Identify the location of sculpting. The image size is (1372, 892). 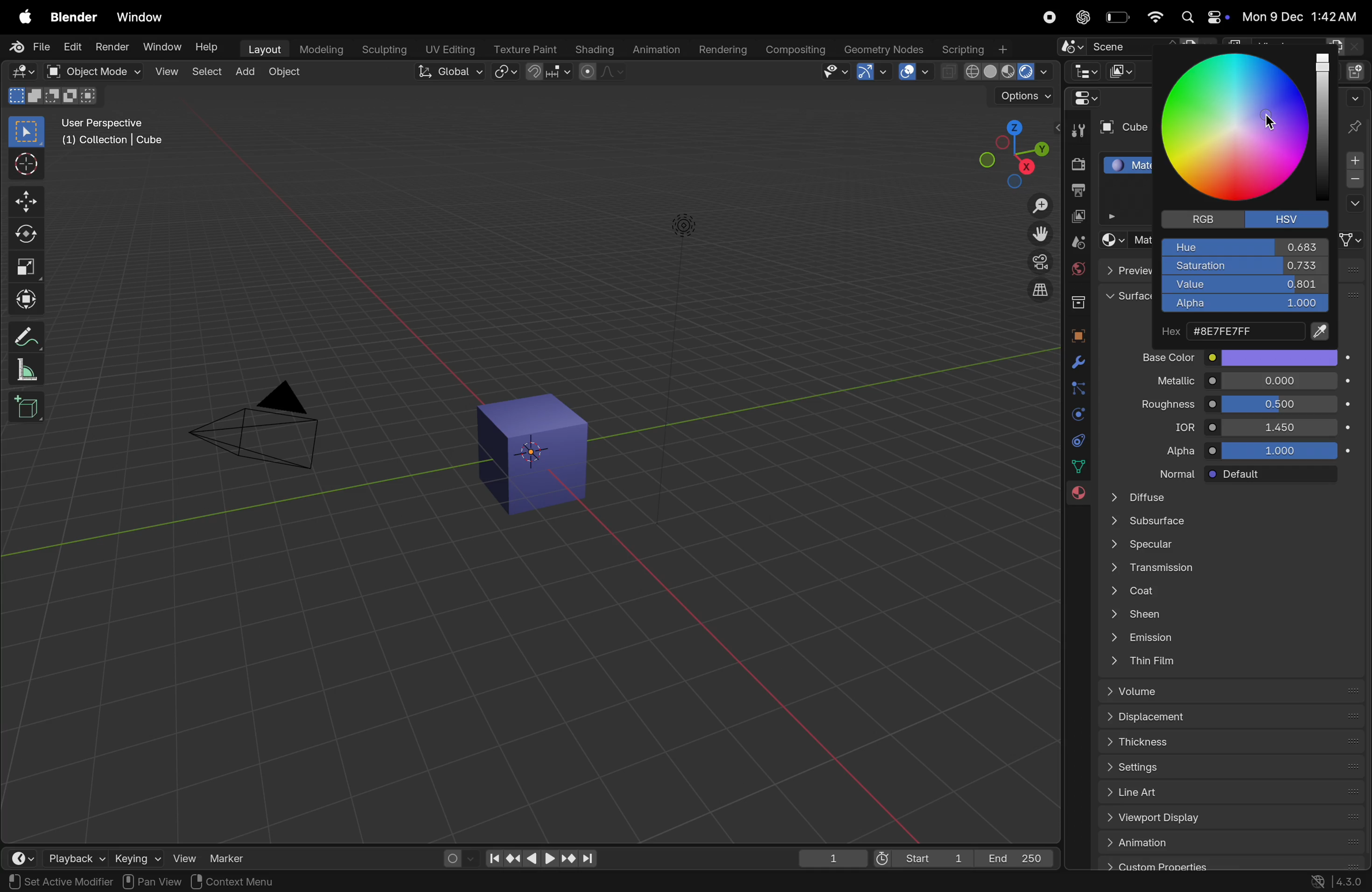
(383, 50).